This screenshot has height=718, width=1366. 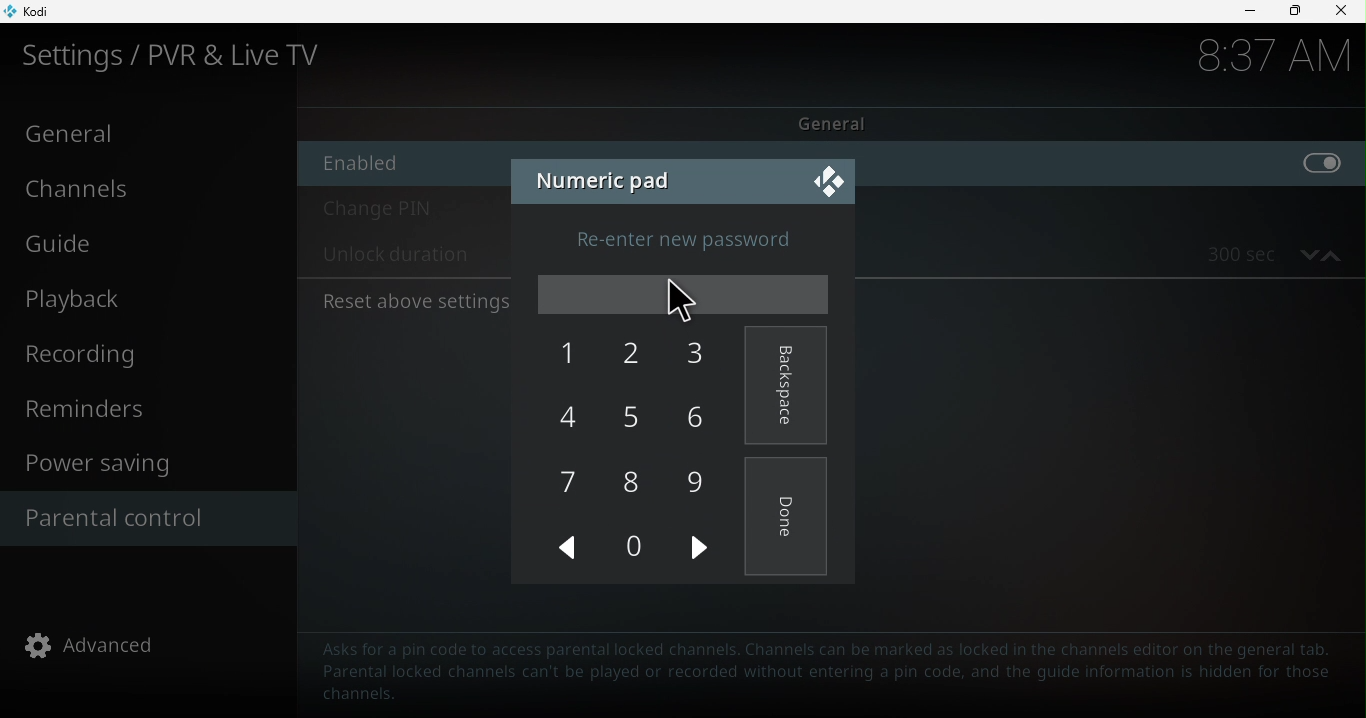 What do you see at coordinates (701, 358) in the screenshot?
I see `3` at bounding box center [701, 358].